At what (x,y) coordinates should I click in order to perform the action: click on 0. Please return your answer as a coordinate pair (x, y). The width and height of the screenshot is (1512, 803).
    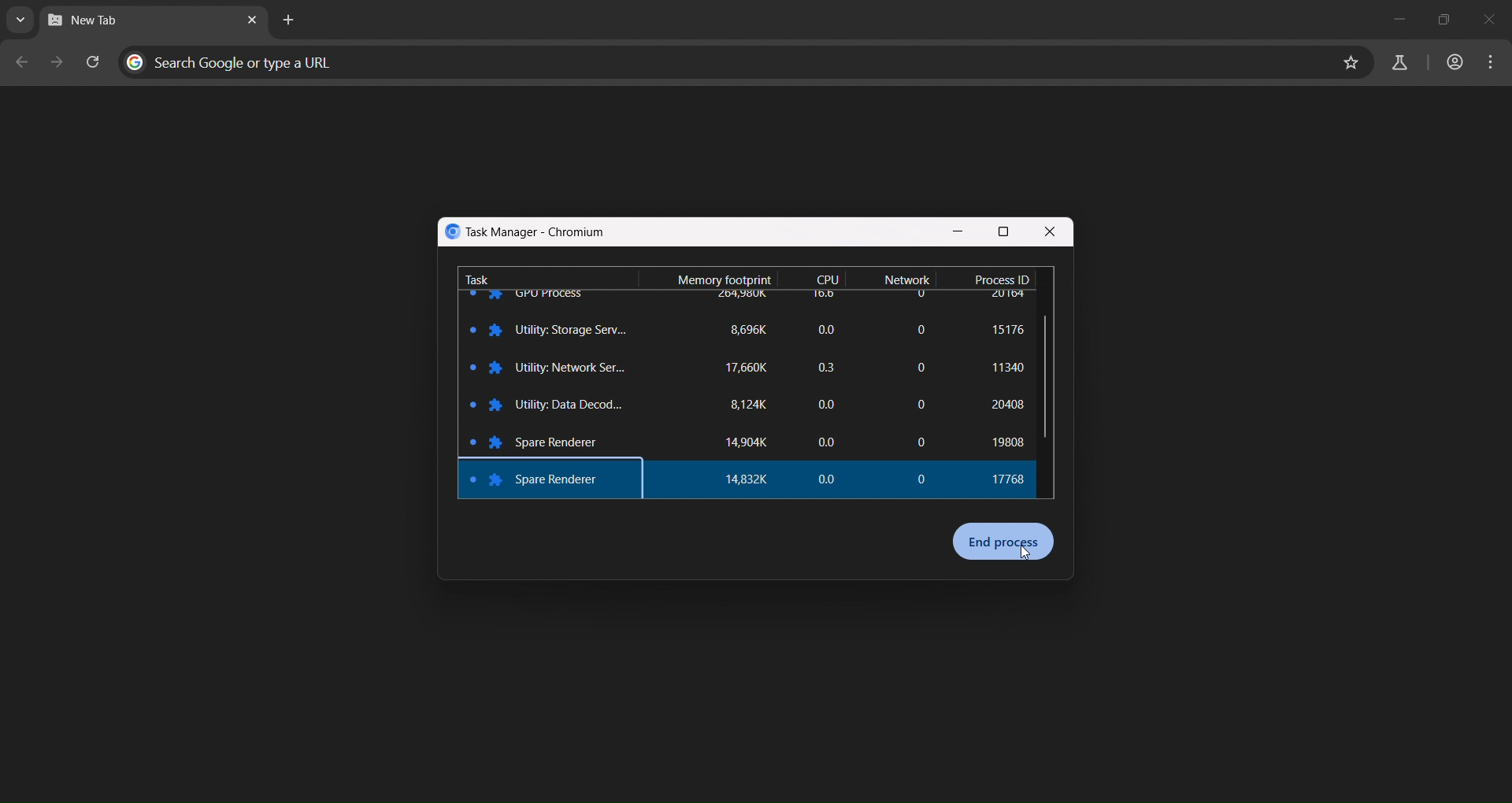
    Looking at the image, I should click on (921, 441).